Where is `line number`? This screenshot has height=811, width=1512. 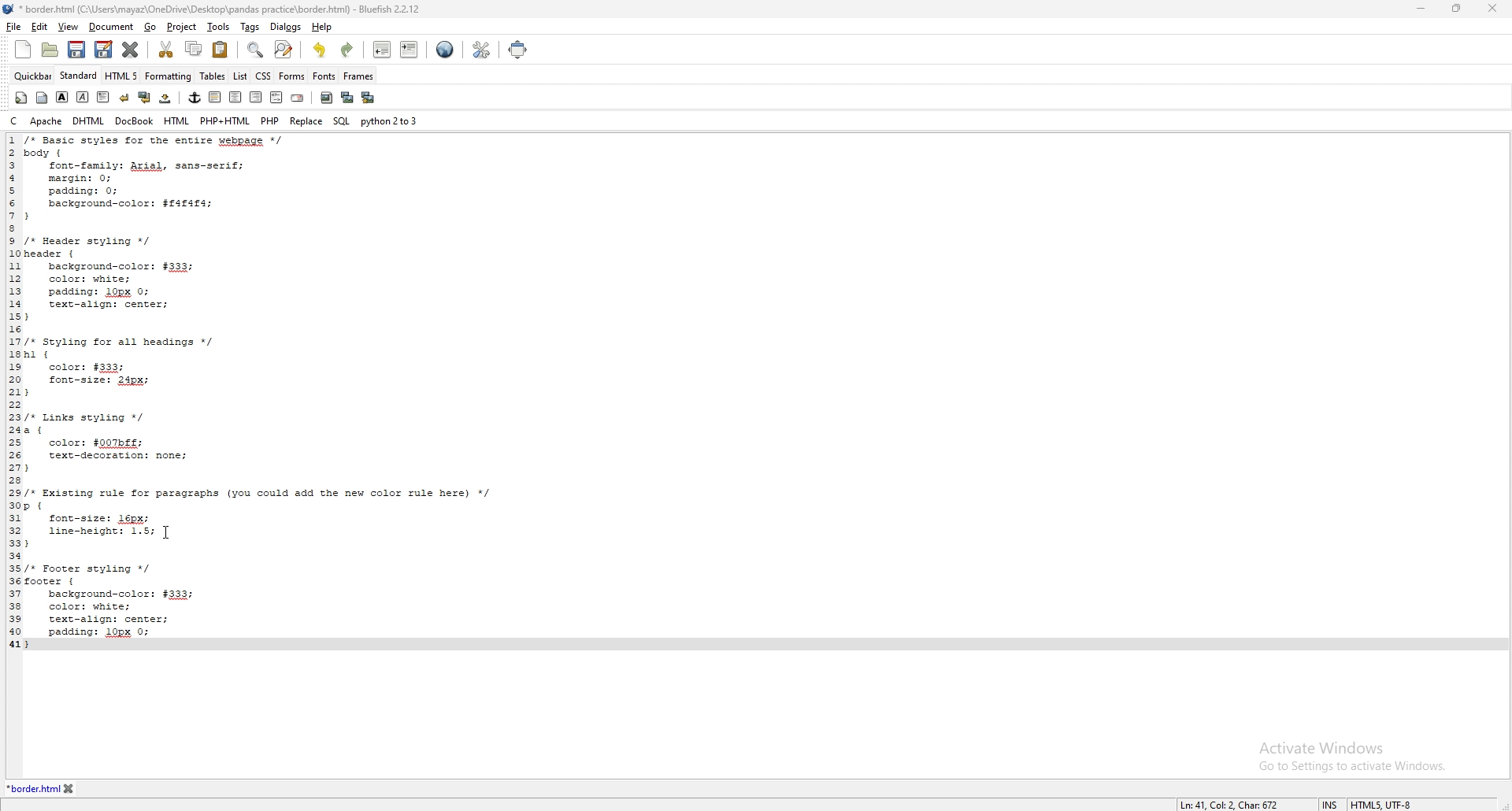
line number is located at coordinates (13, 391).